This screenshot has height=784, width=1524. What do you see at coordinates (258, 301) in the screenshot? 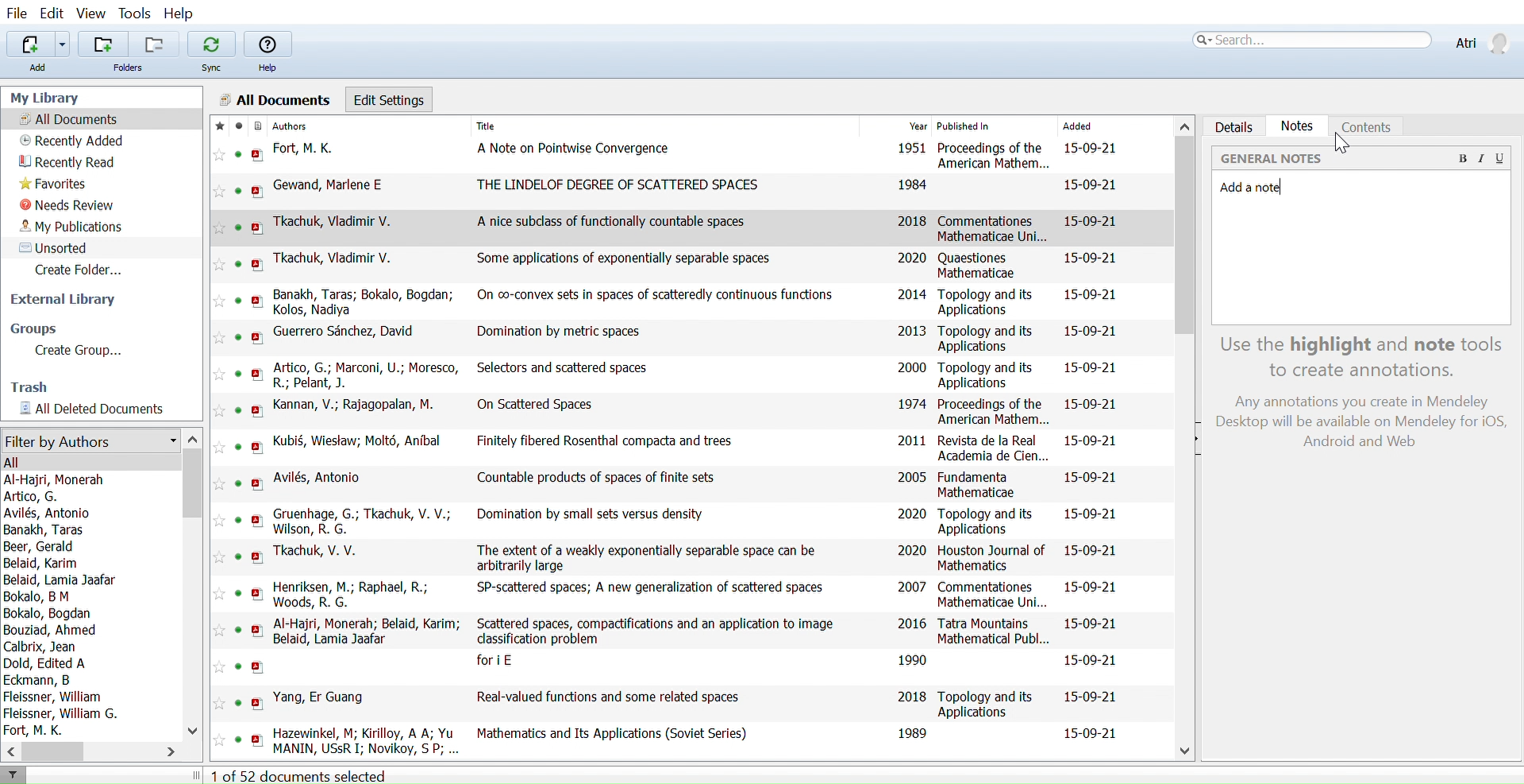
I see `open PDF` at bounding box center [258, 301].